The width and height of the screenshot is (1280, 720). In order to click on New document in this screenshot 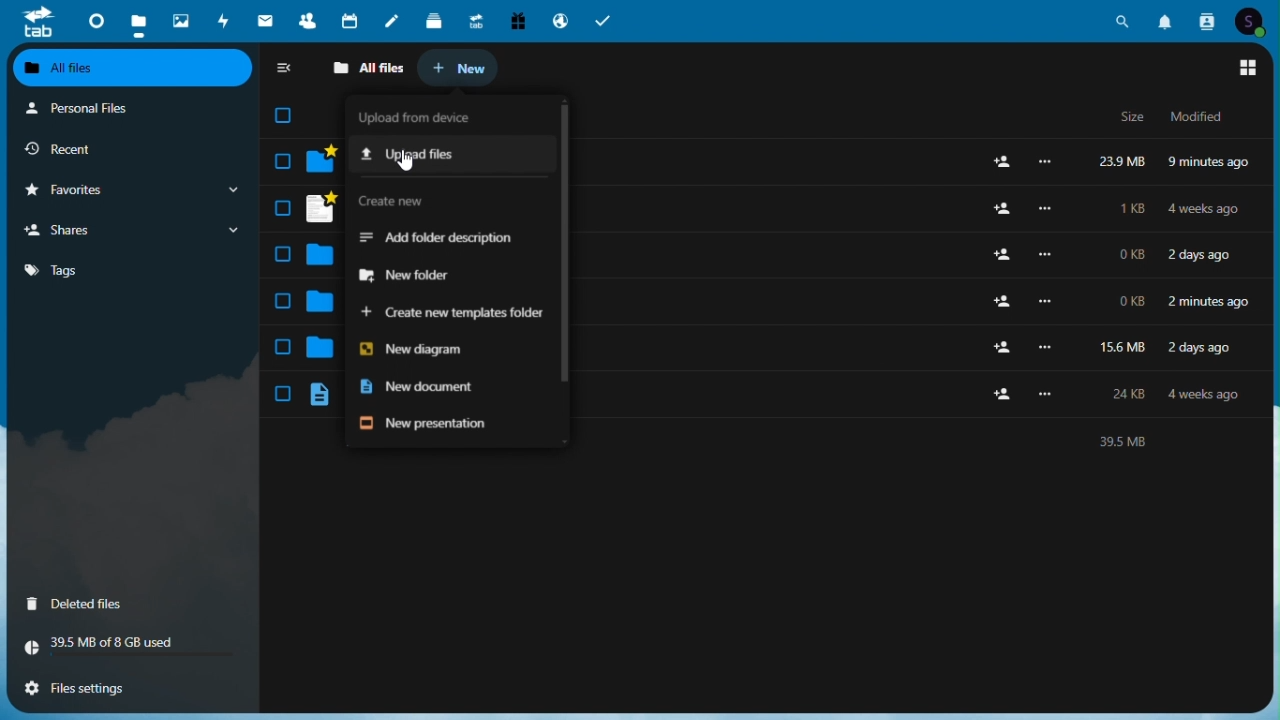, I will do `click(445, 384)`.